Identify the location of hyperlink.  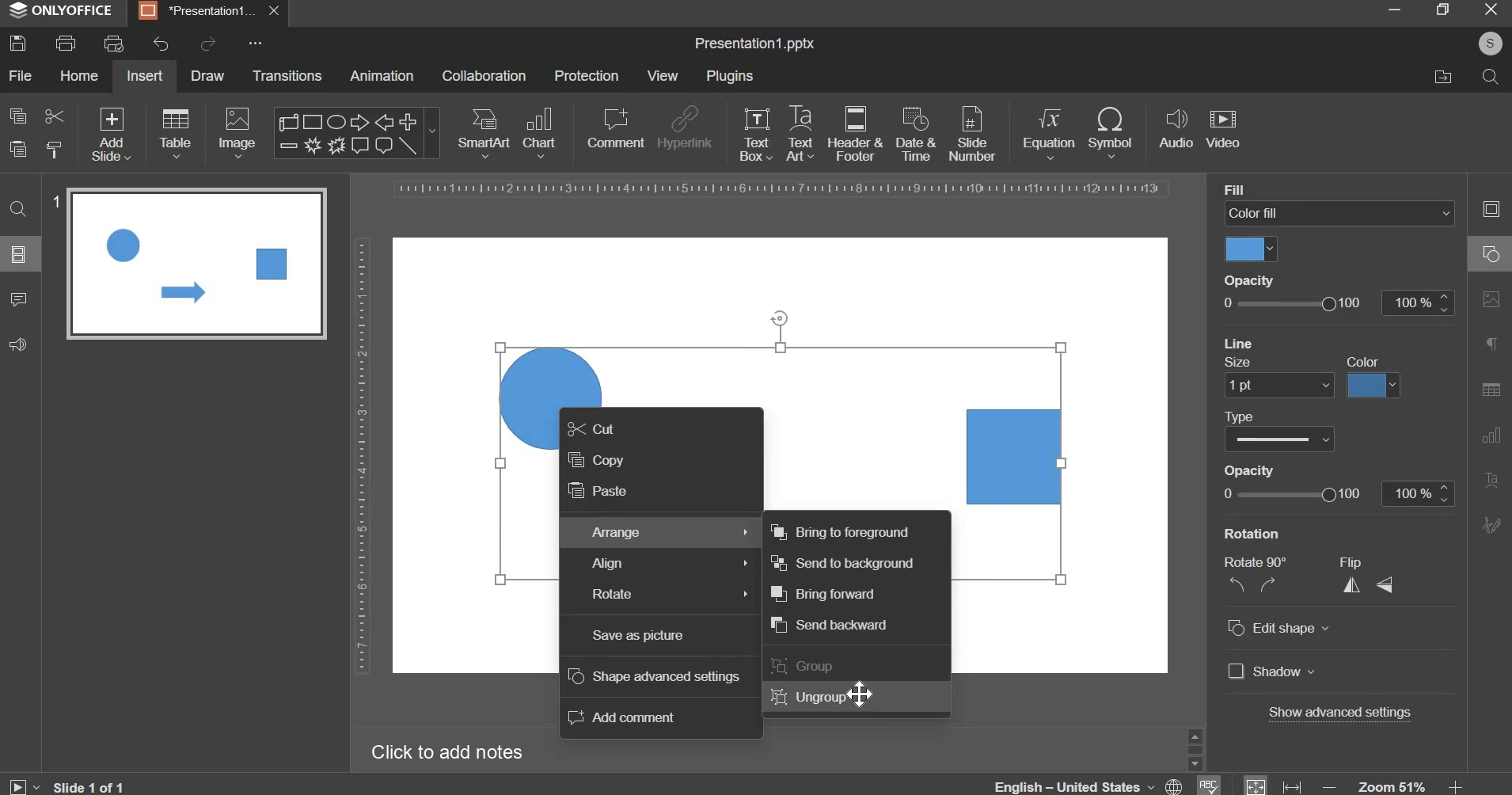
(684, 130).